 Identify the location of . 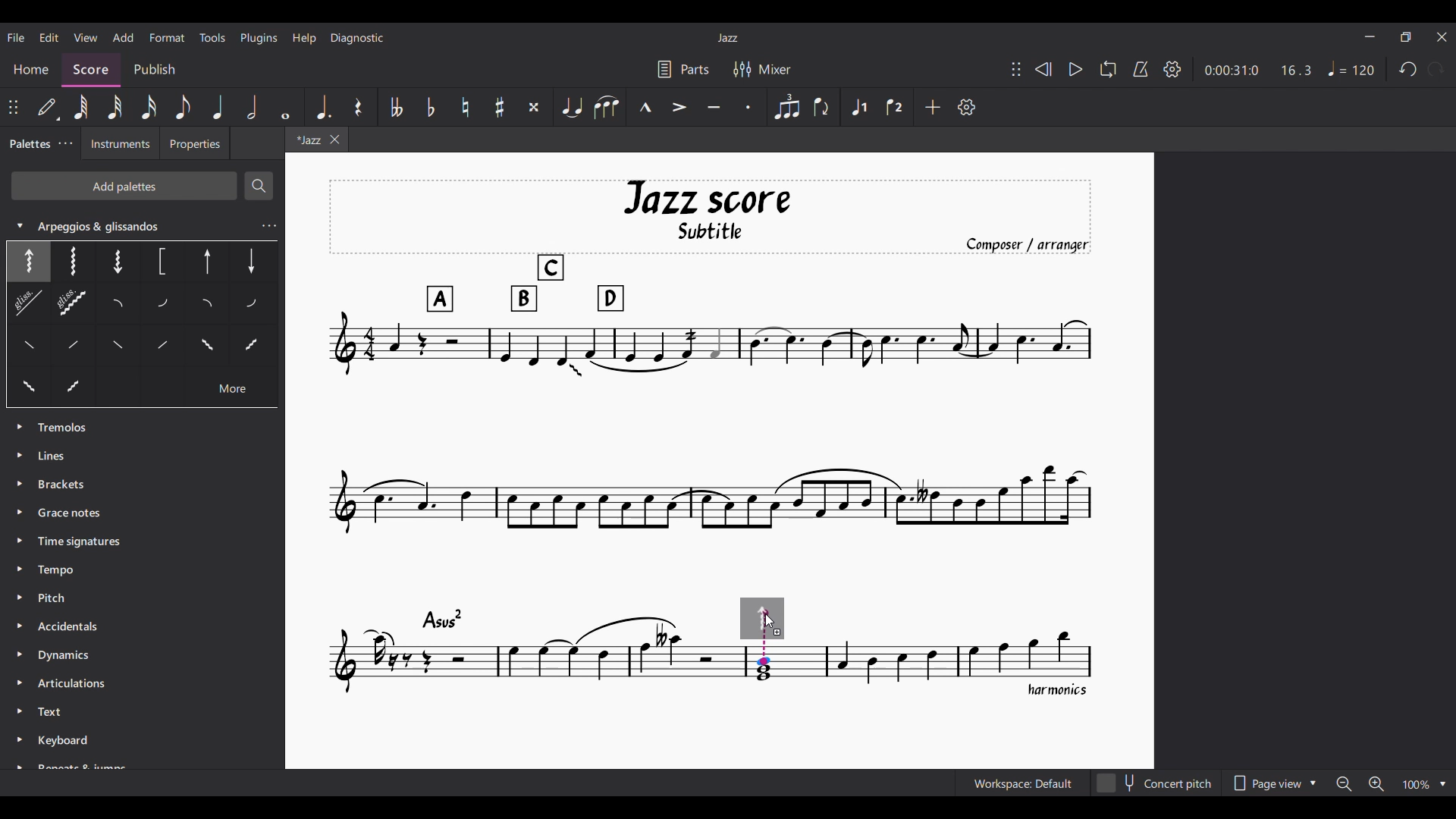
(27, 344).